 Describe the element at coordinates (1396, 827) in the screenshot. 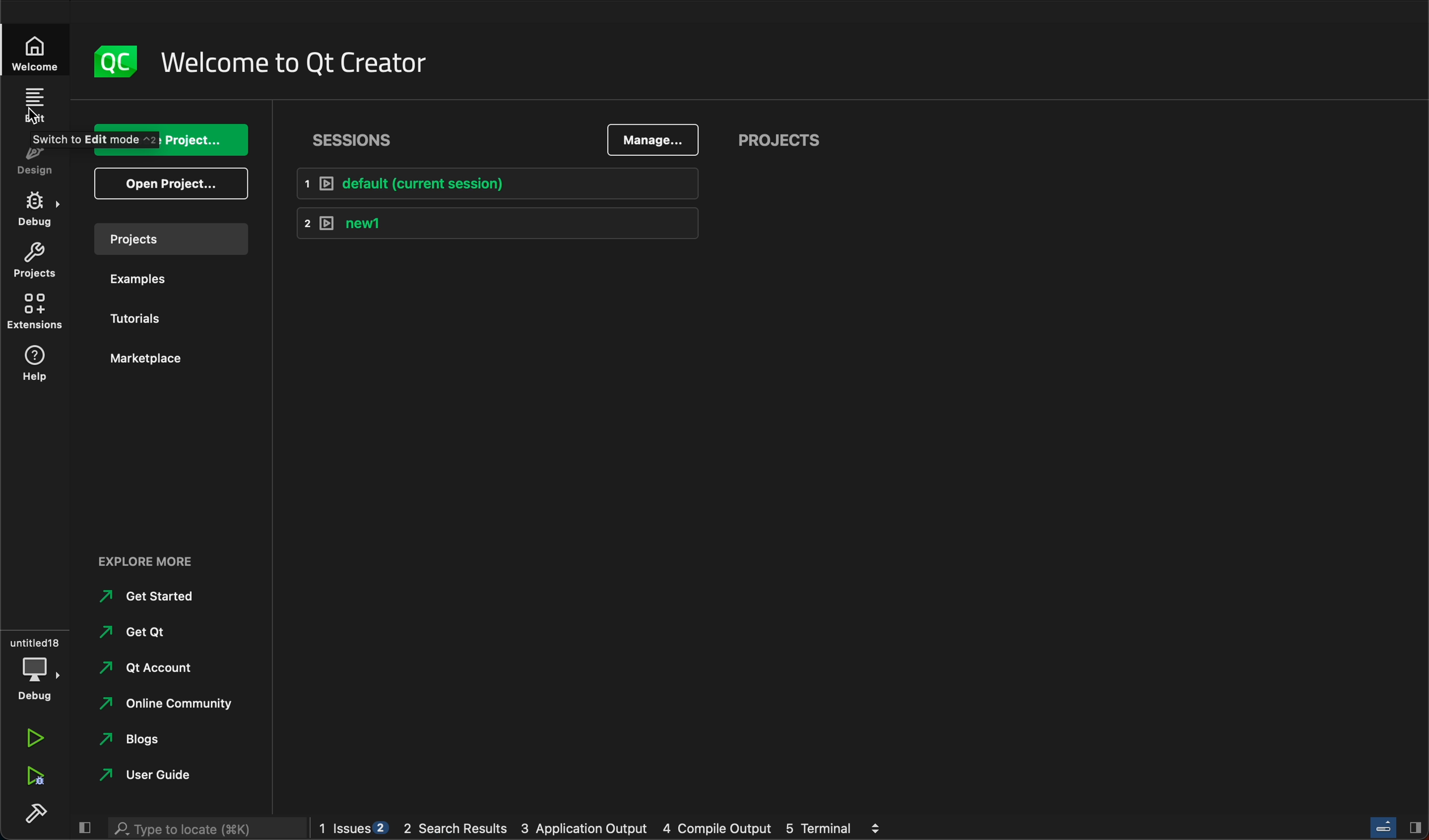

I see `close slide Bar` at that location.